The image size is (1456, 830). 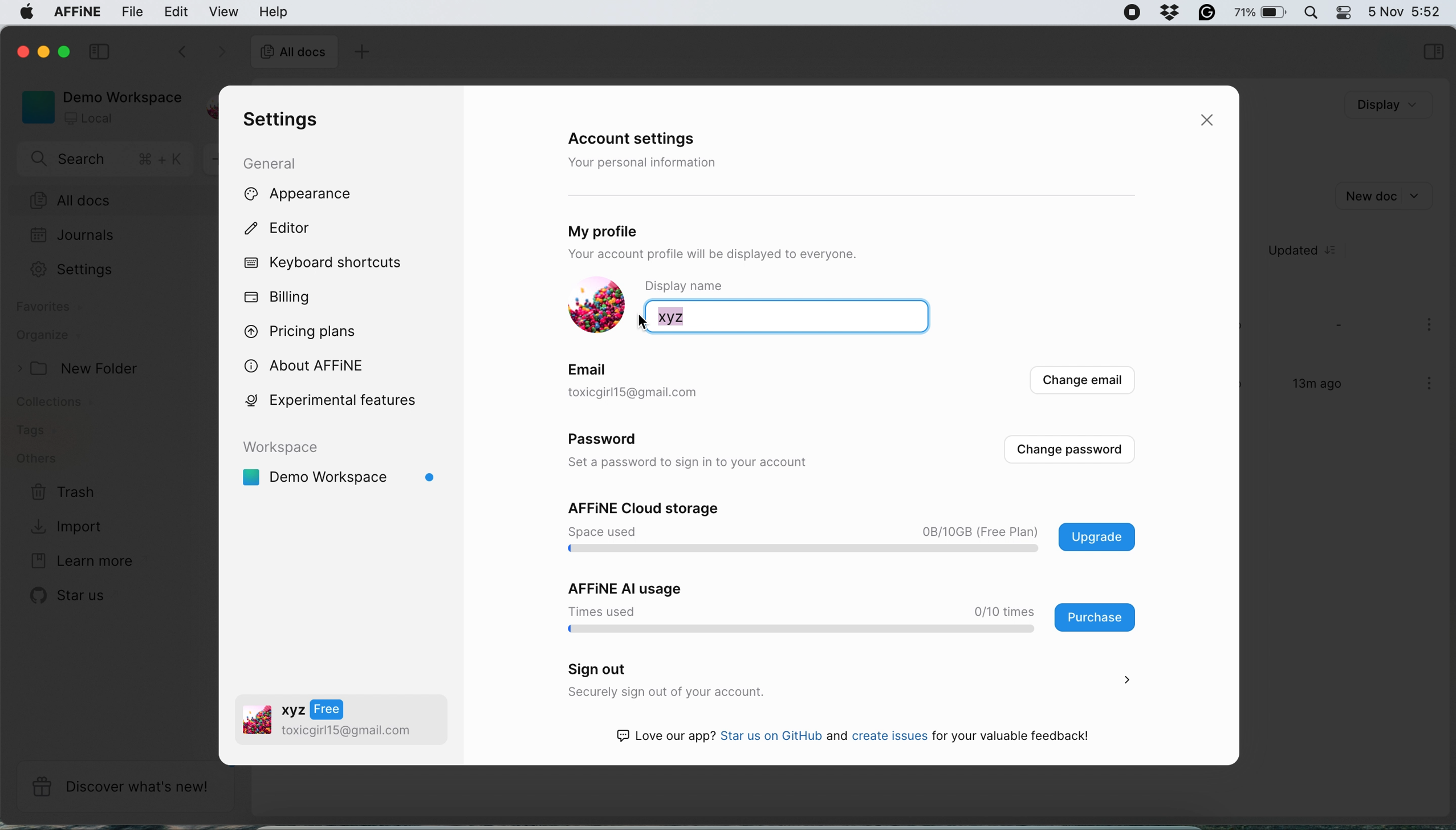 I want to click on keyboard shortcuts, so click(x=328, y=263).